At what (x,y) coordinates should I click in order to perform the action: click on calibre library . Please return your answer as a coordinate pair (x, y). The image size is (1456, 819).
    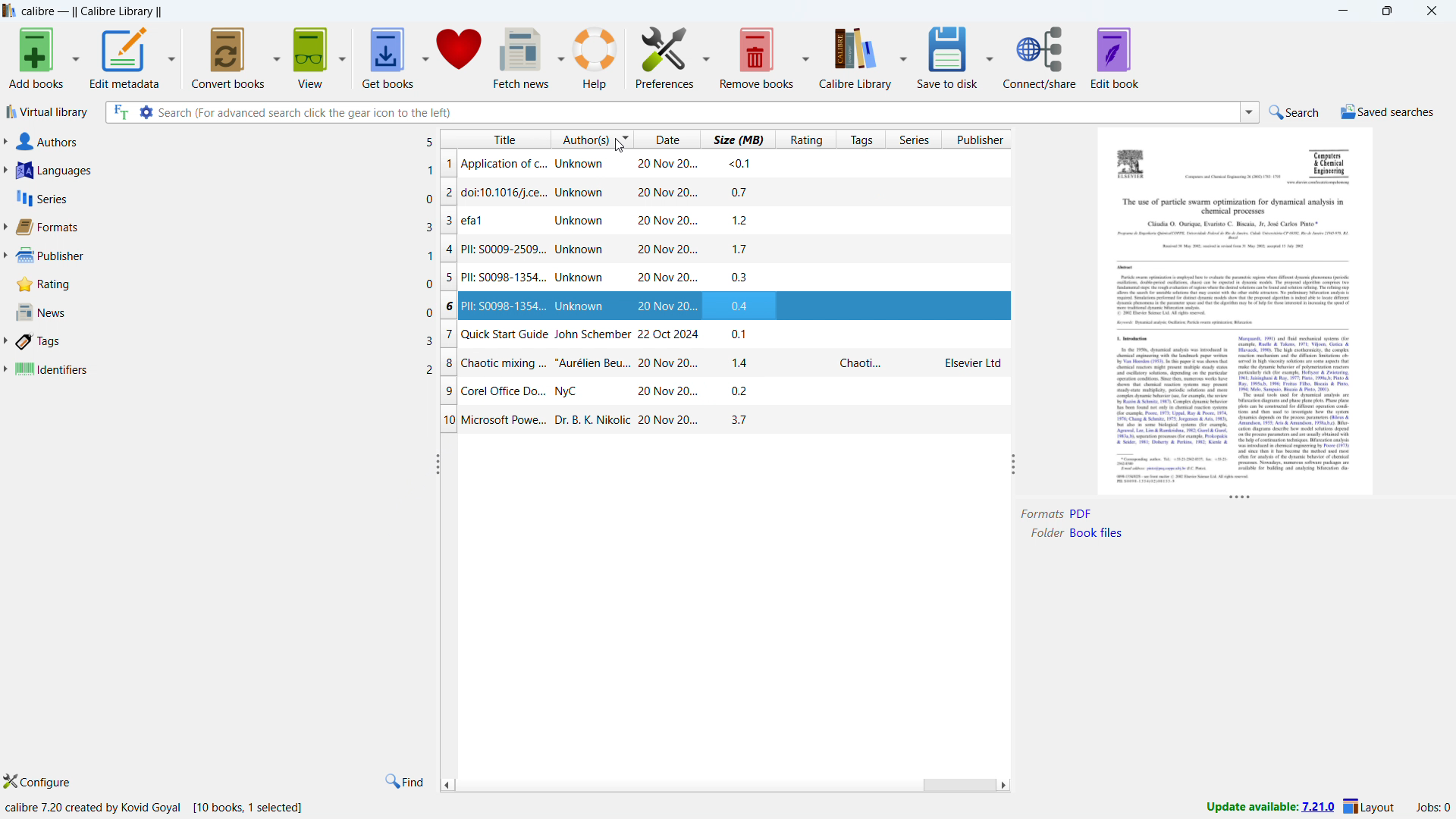
    Looking at the image, I should click on (856, 57).